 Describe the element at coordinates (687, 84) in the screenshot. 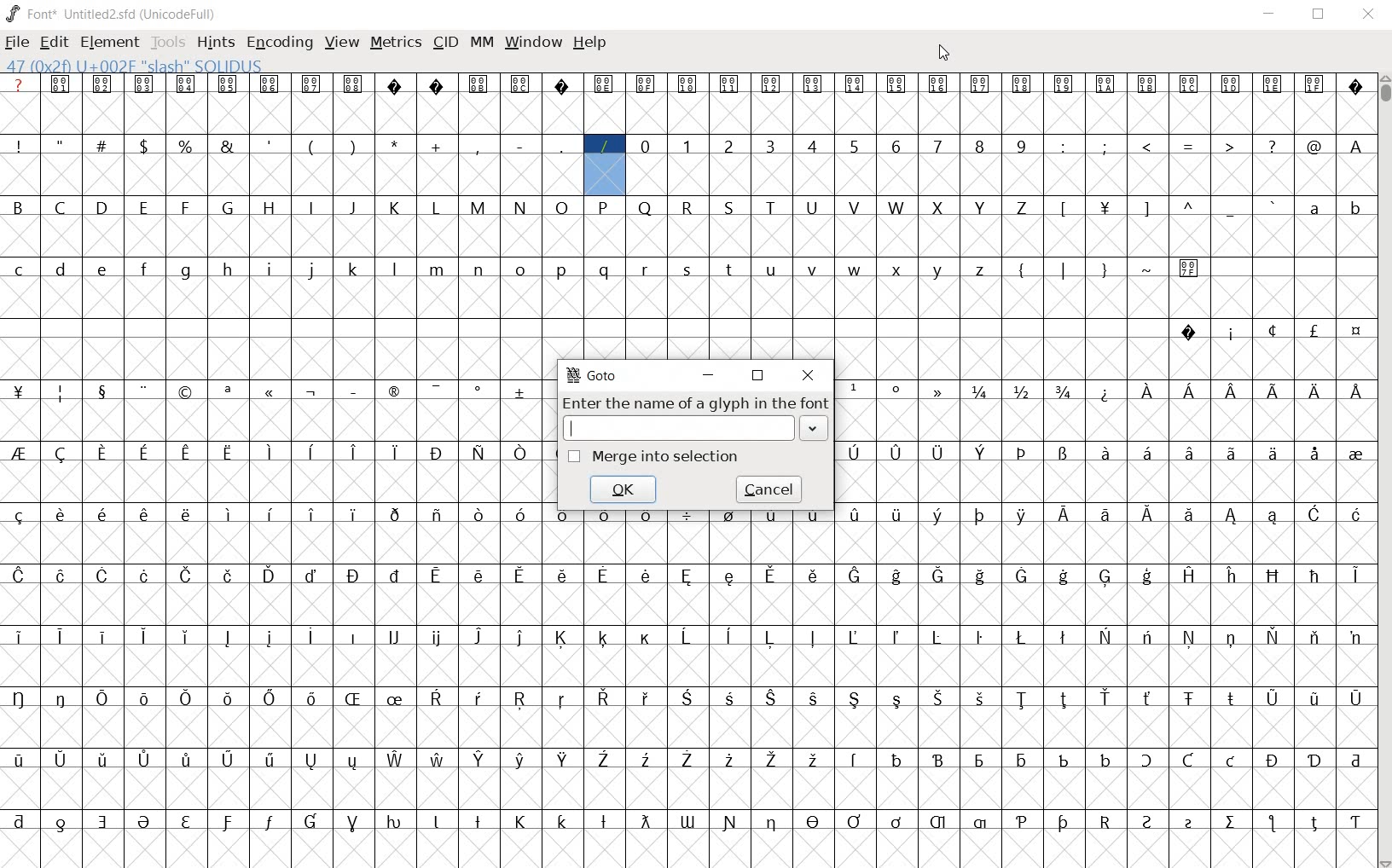

I see `glyph` at that location.